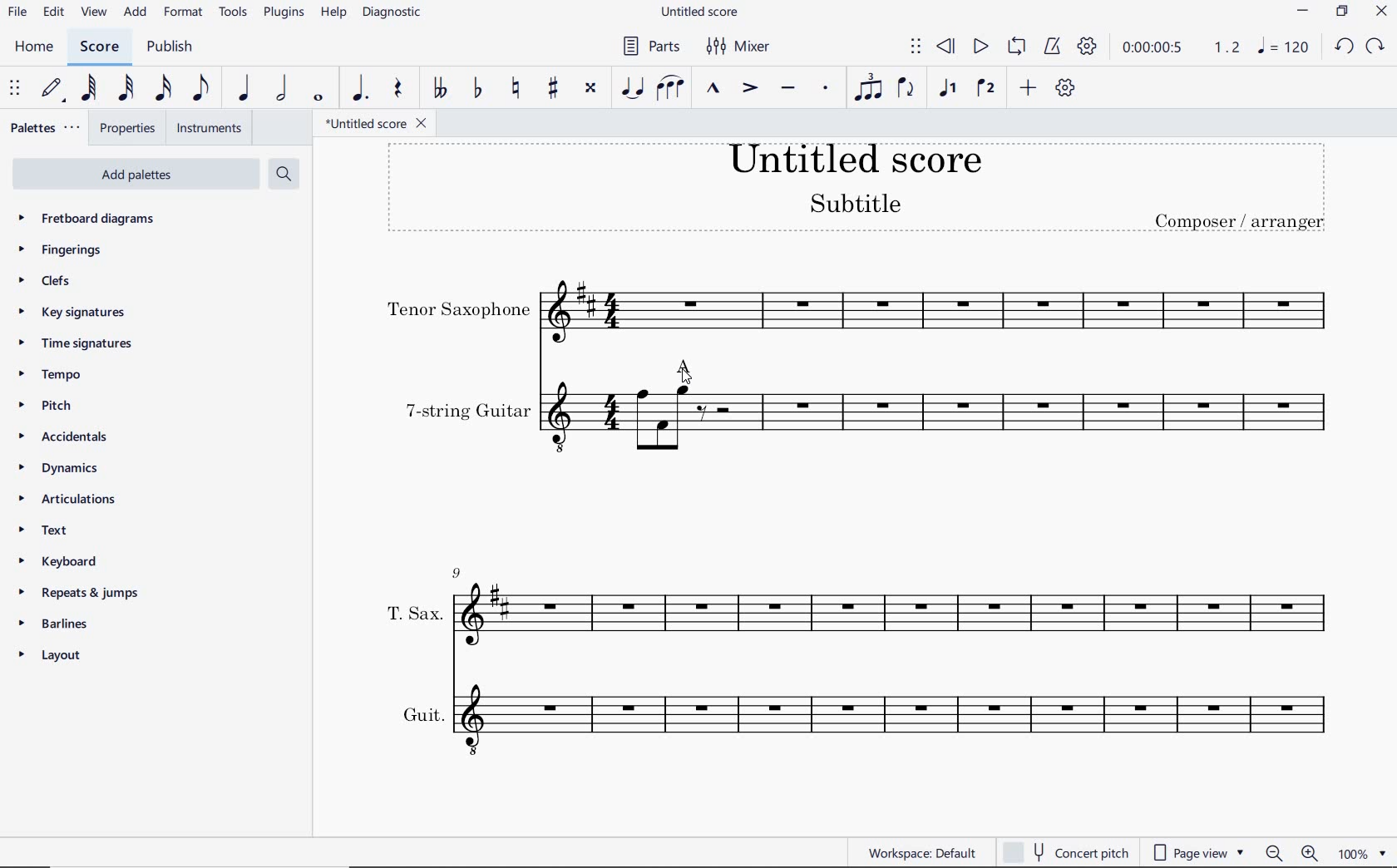 This screenshot has height=868, width=1397. I want to click on EIGHTH NOTE, so click(201, 89).